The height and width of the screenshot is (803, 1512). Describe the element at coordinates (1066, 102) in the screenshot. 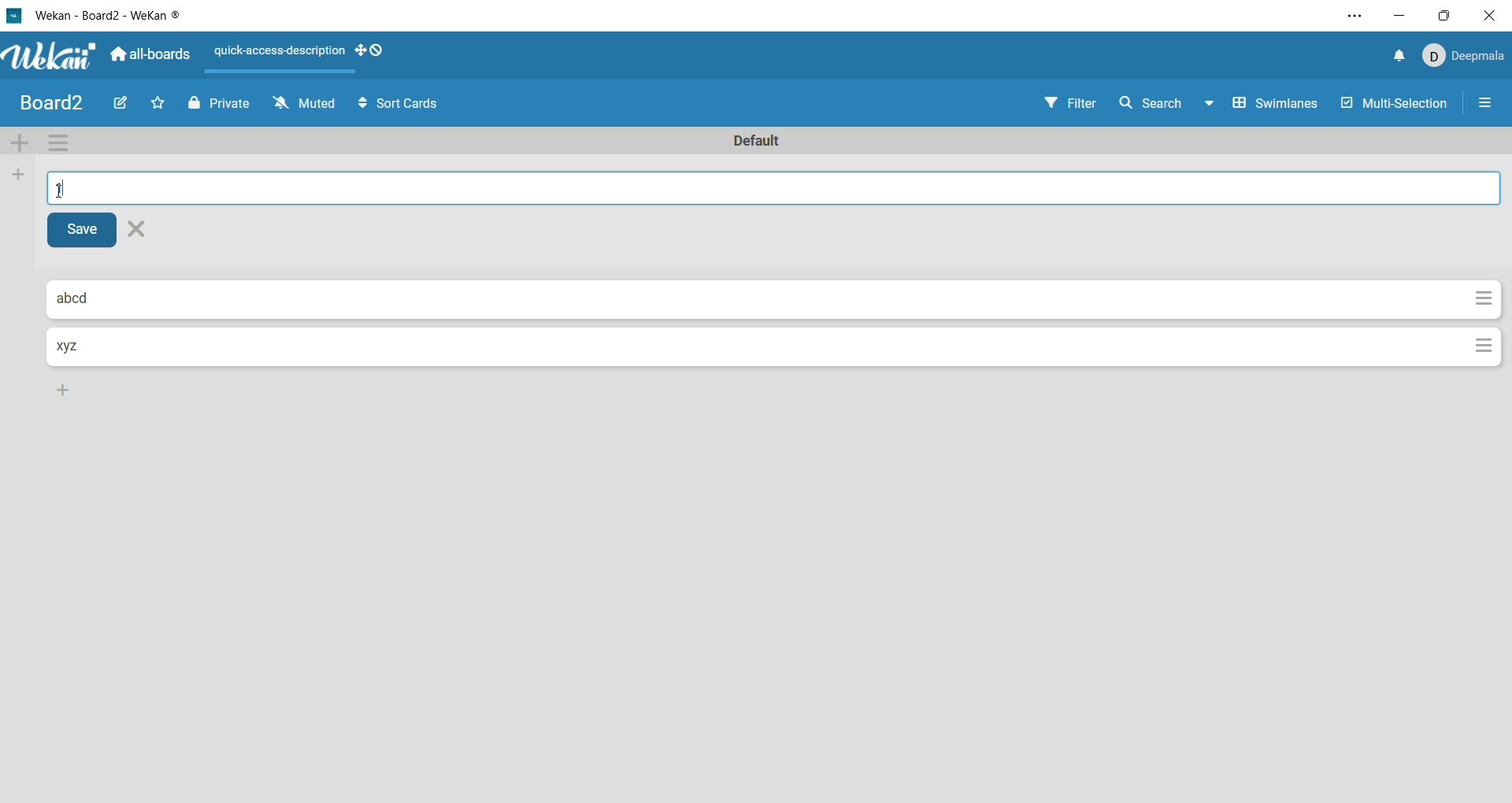

I see `filter` at that location.